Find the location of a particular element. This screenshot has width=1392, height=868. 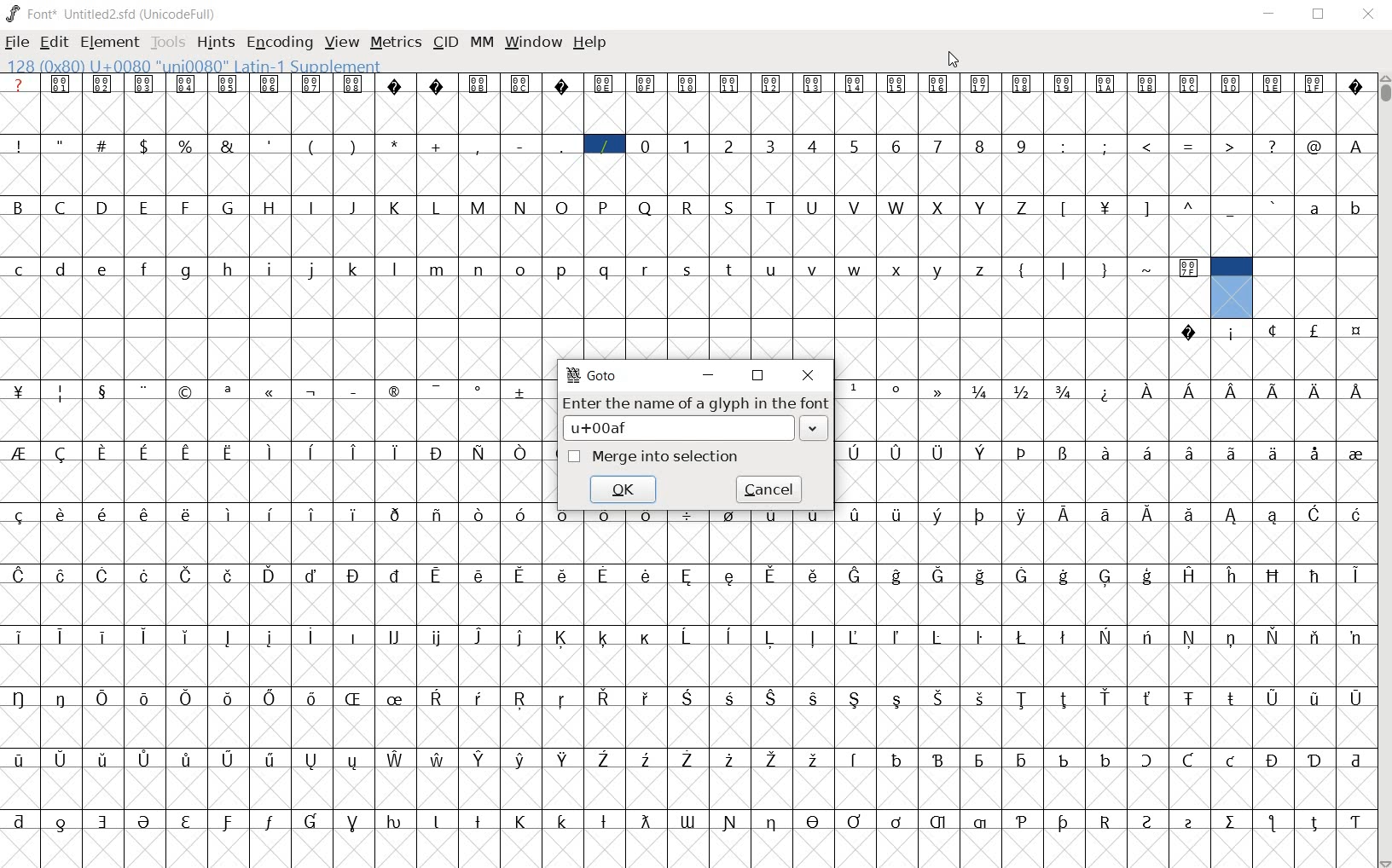

| is located at coordinates (1066, 269).